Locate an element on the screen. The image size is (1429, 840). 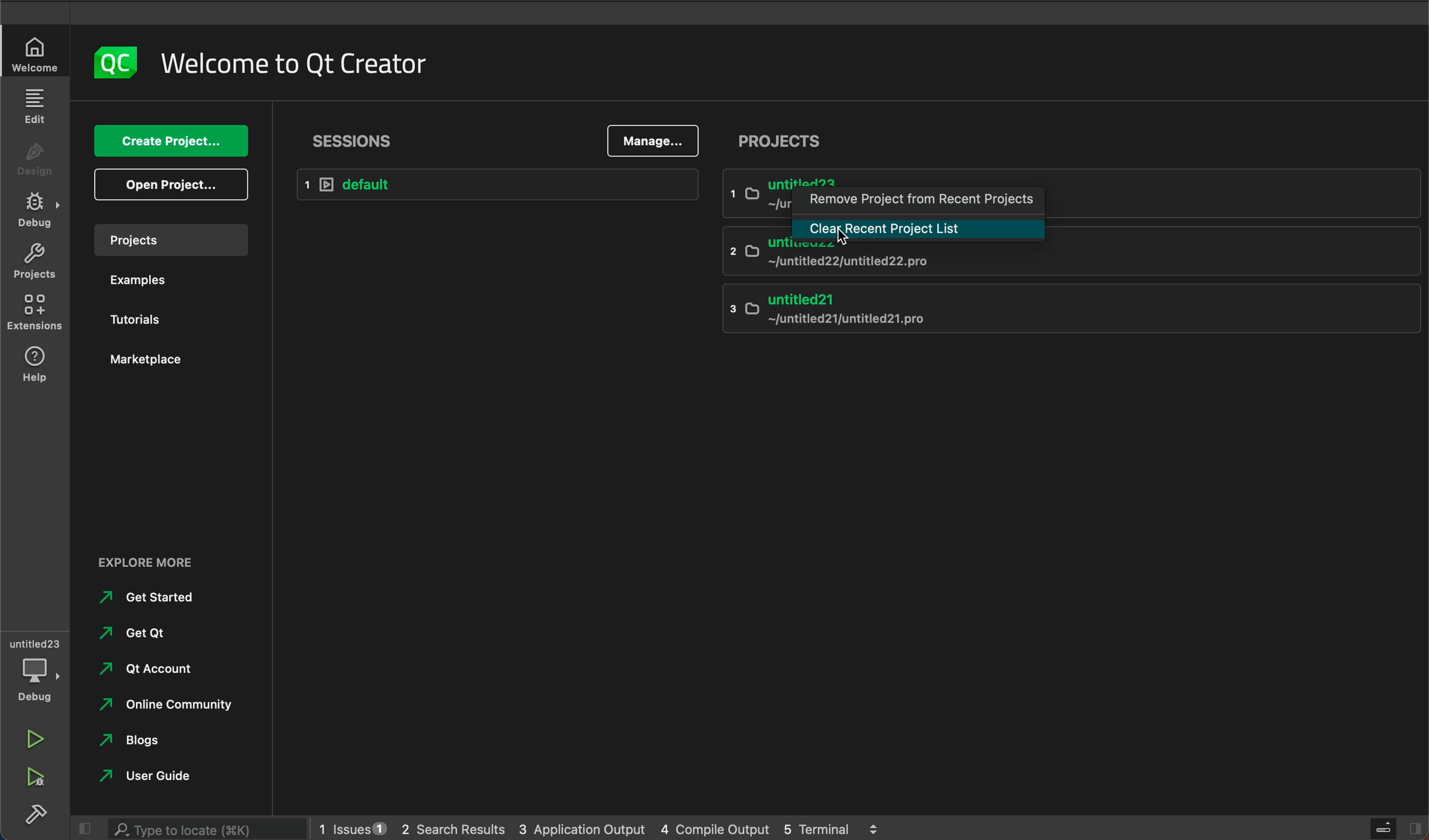
manage is located at coordinates (652, 139).